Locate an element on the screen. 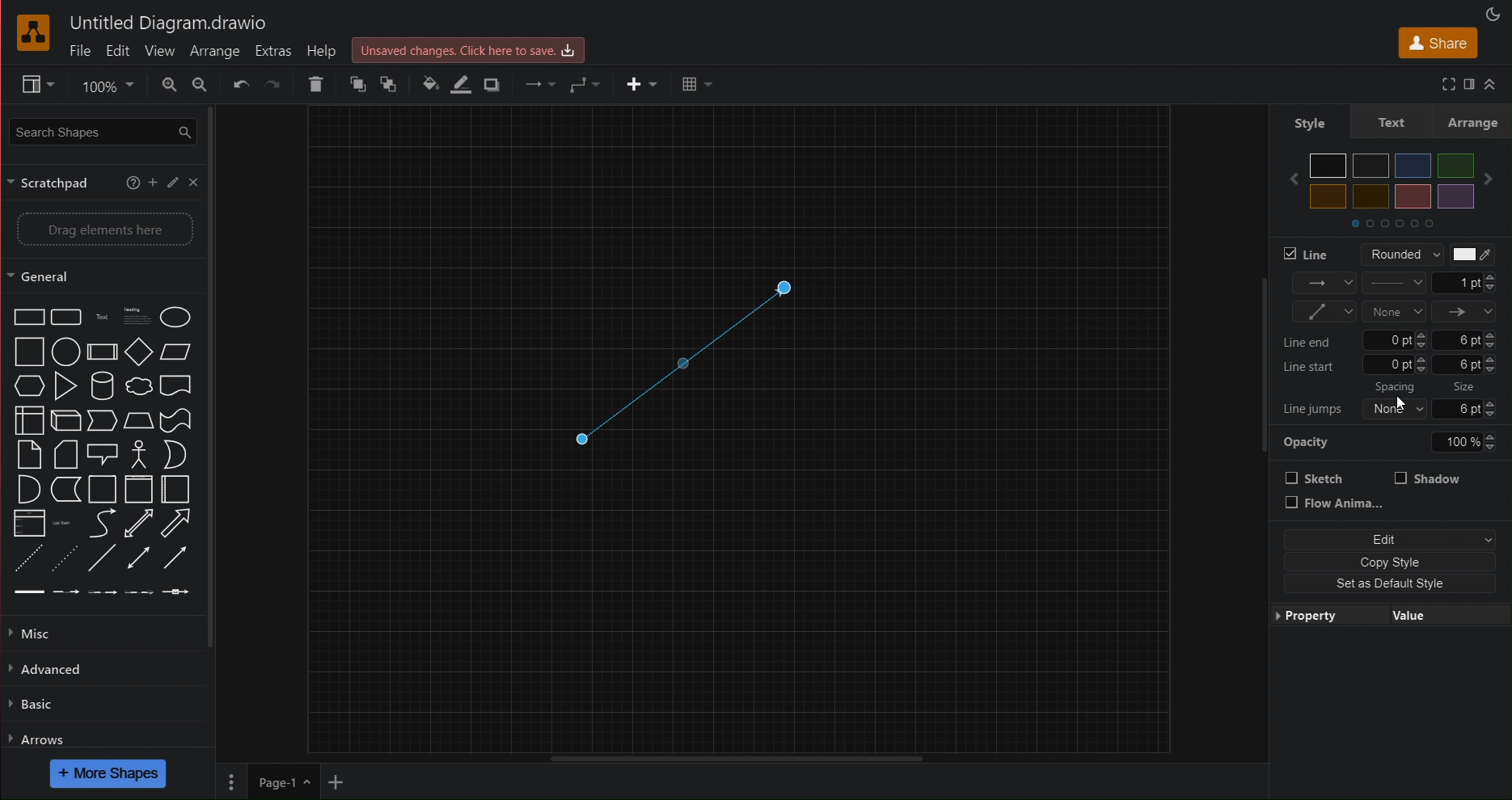 This screenshot has width=1512, height=800. Help is located at coordinates (133, 179).